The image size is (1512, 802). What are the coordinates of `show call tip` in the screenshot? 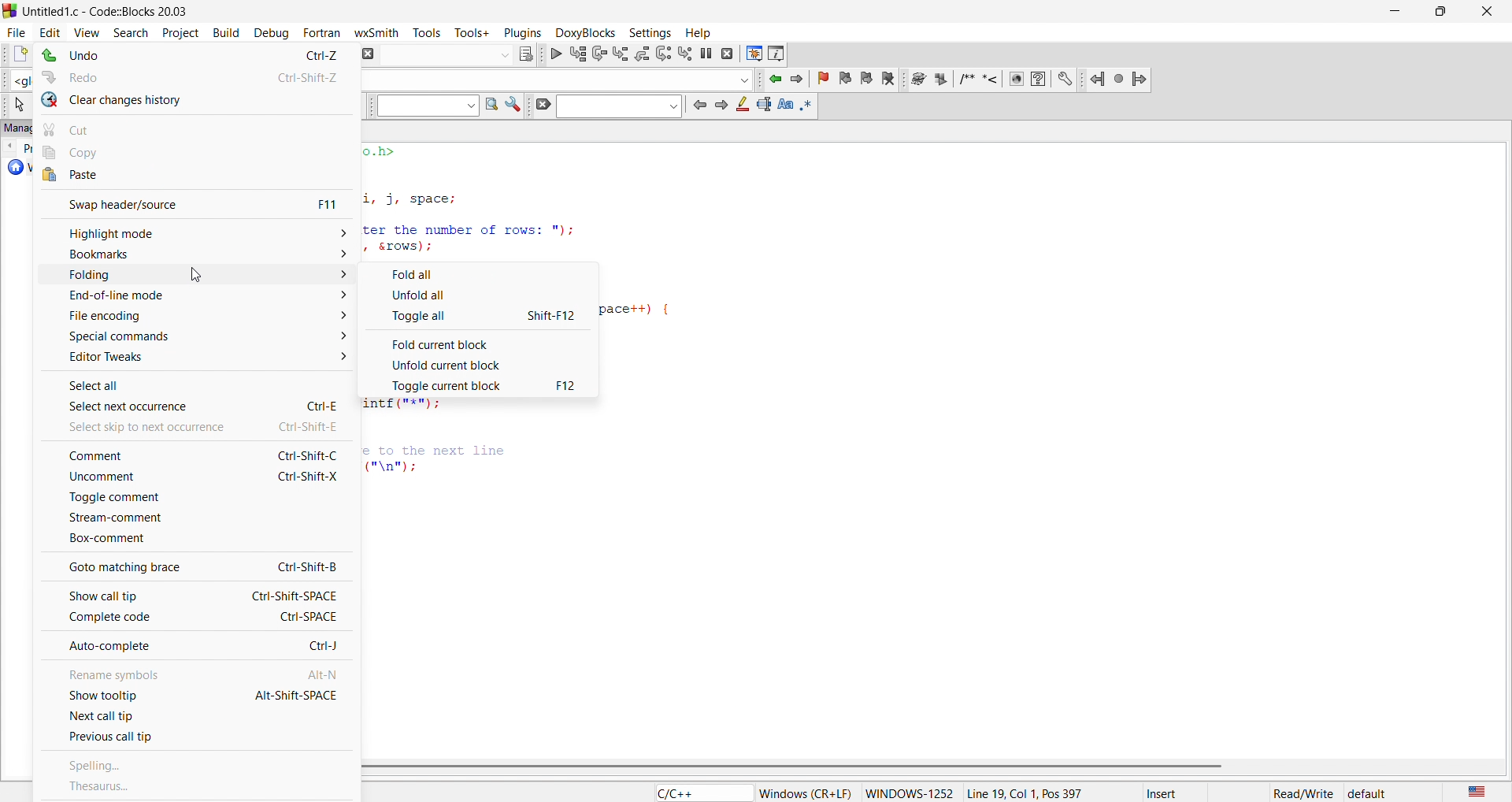 It's located at (191, 593).